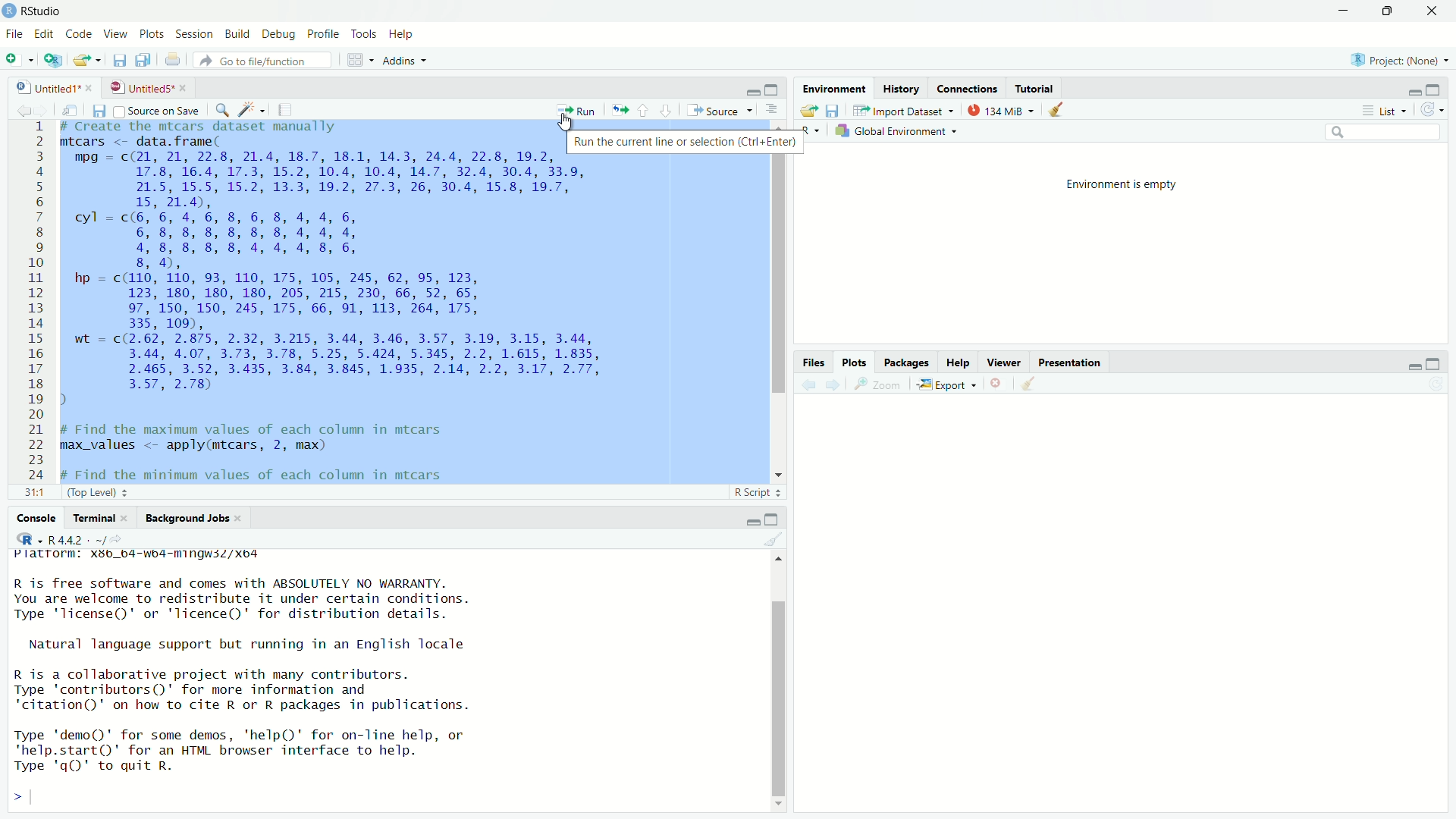  I want to click on clear, so click(1062, 113).